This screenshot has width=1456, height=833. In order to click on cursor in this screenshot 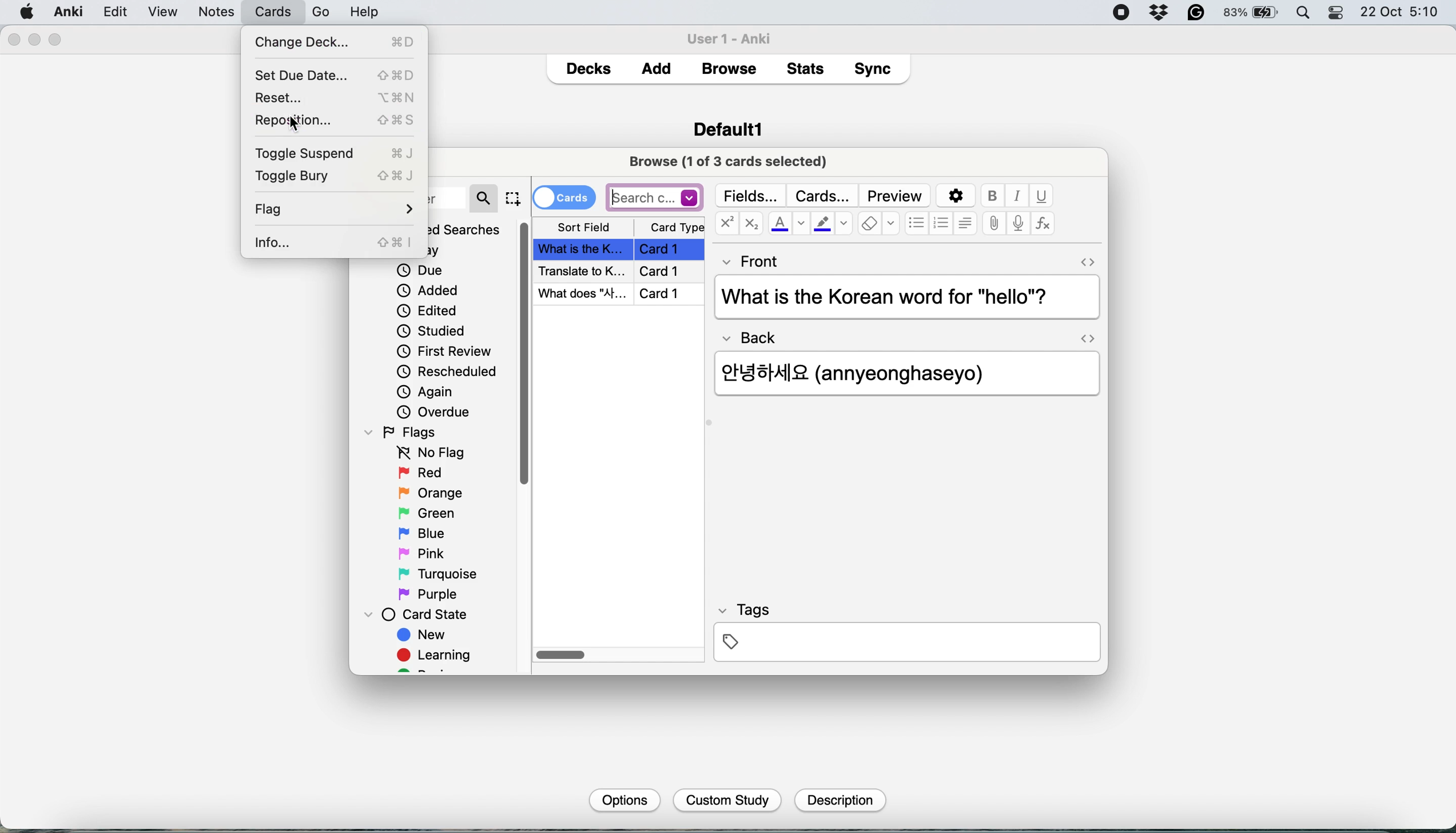, I will do `click(298, 124)`.